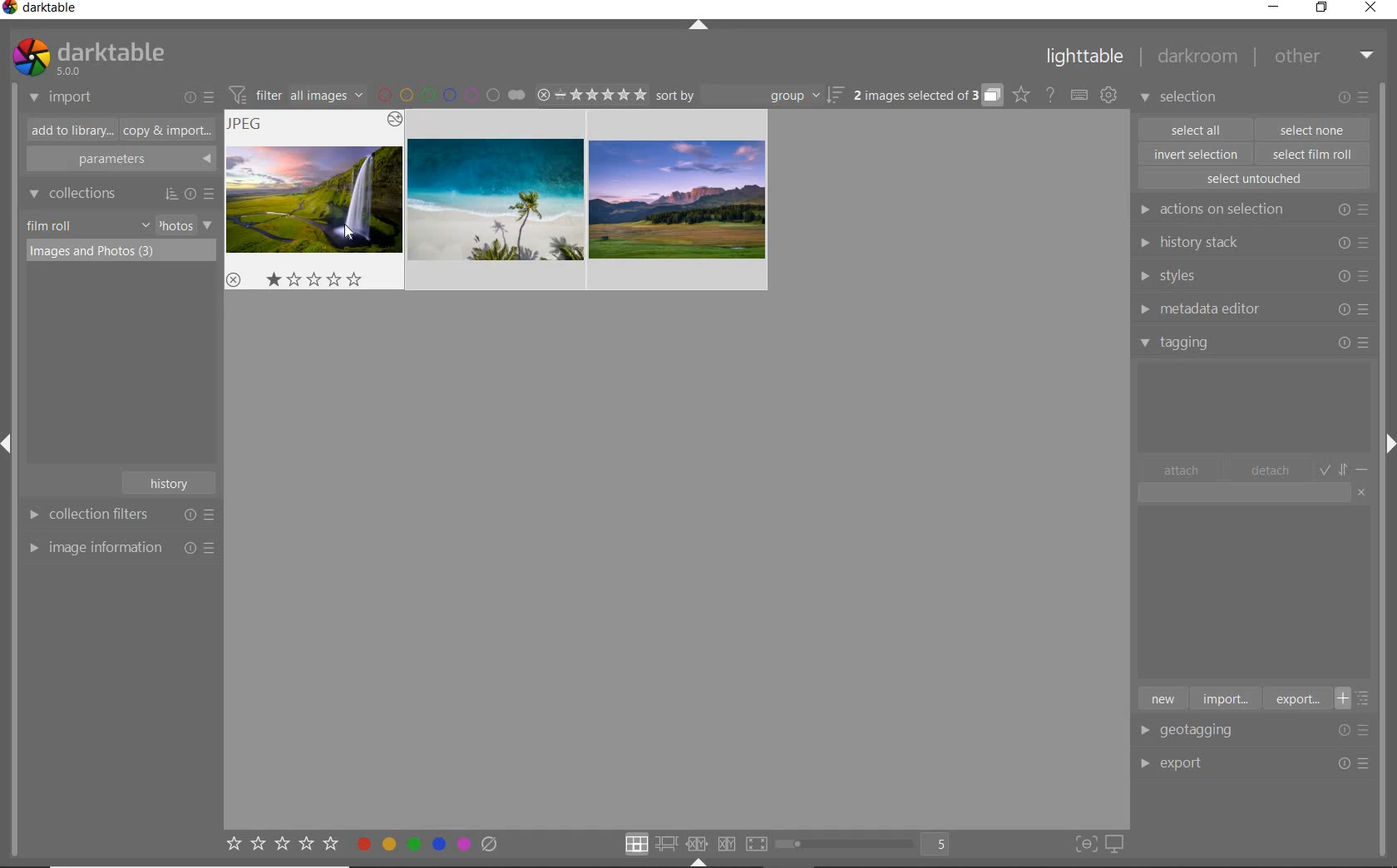 Image resolution: width=1397 pixels, height=868 pixels. Describe the element at coordinates (1359, 730) in the screenshot. I see `Options` at that location.